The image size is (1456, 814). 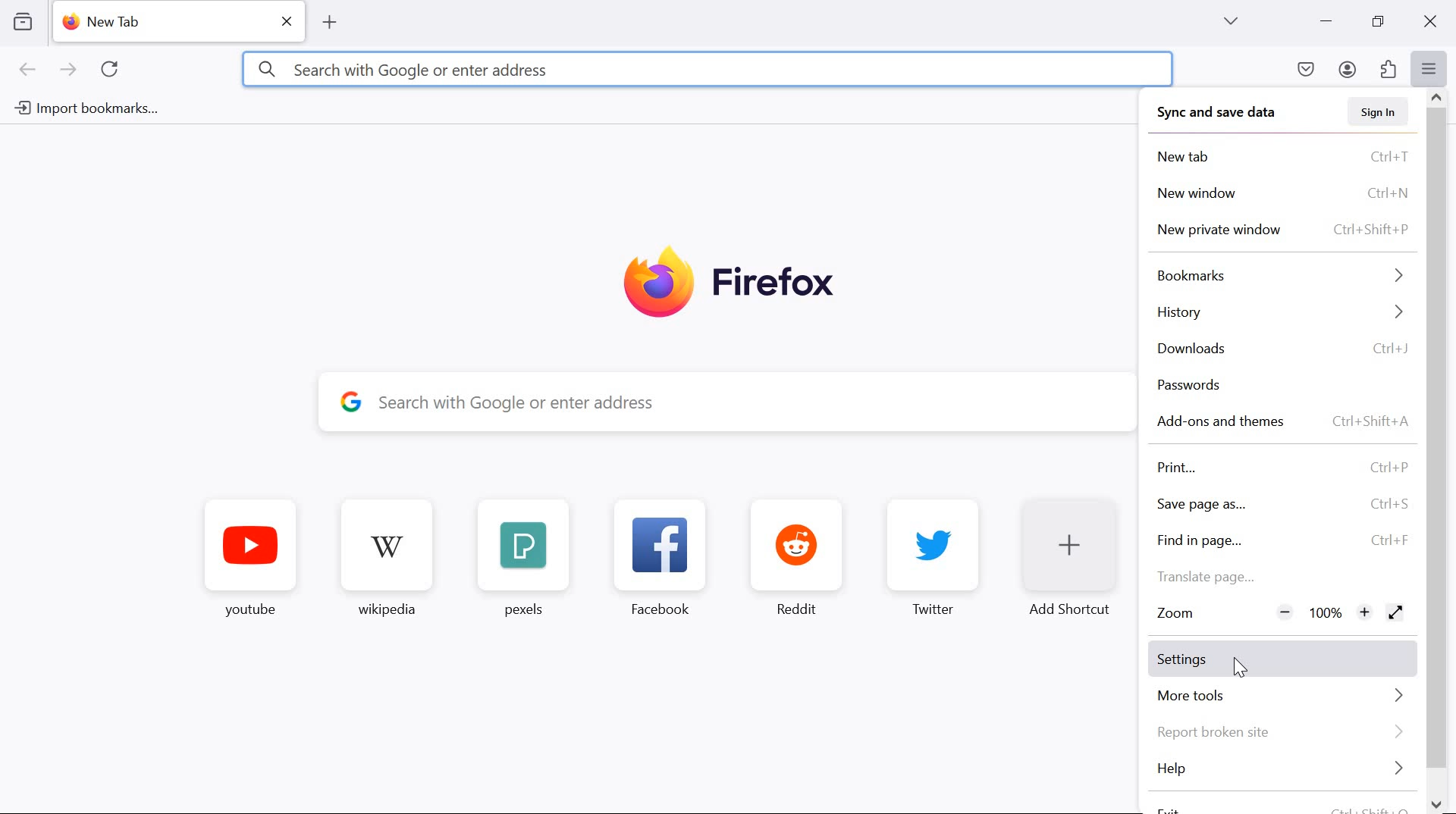 What do you see at coordinates (1285, 193) in the screenshot?
I see `new window` at bounding box center [1285, 193].